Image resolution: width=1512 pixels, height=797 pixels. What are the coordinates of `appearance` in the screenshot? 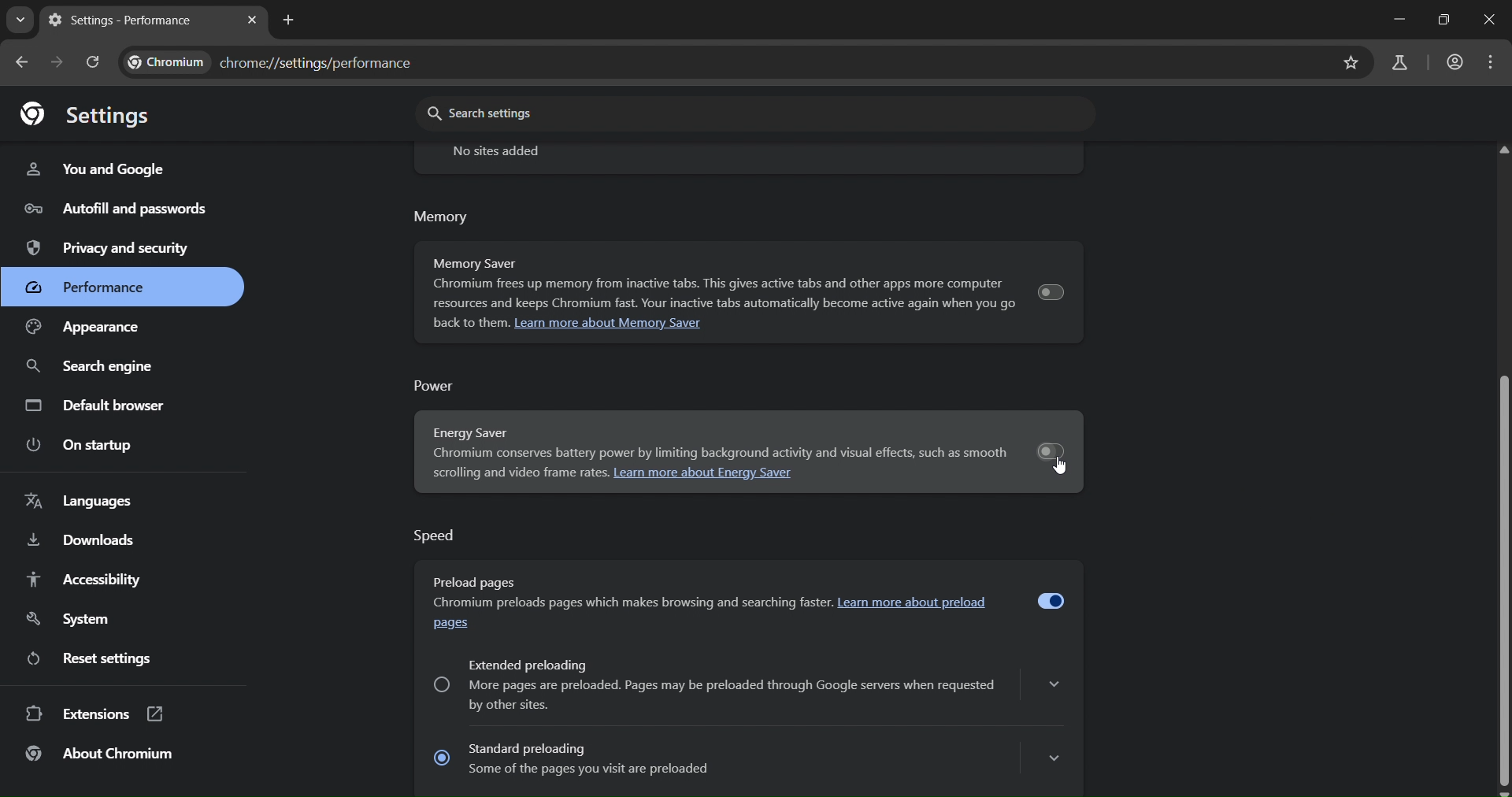 It's located at (102, 326).